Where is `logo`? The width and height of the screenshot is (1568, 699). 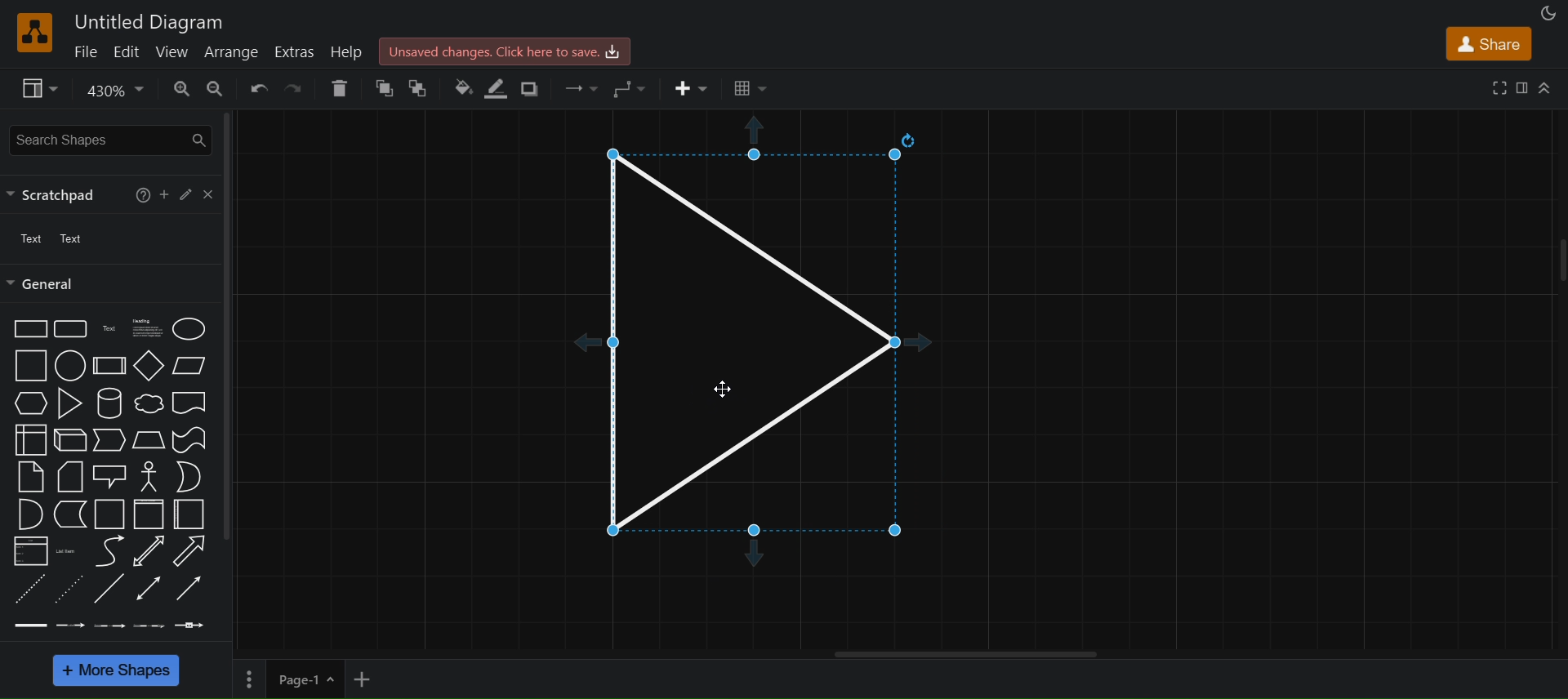
logo is located at coordinates (33, 33).